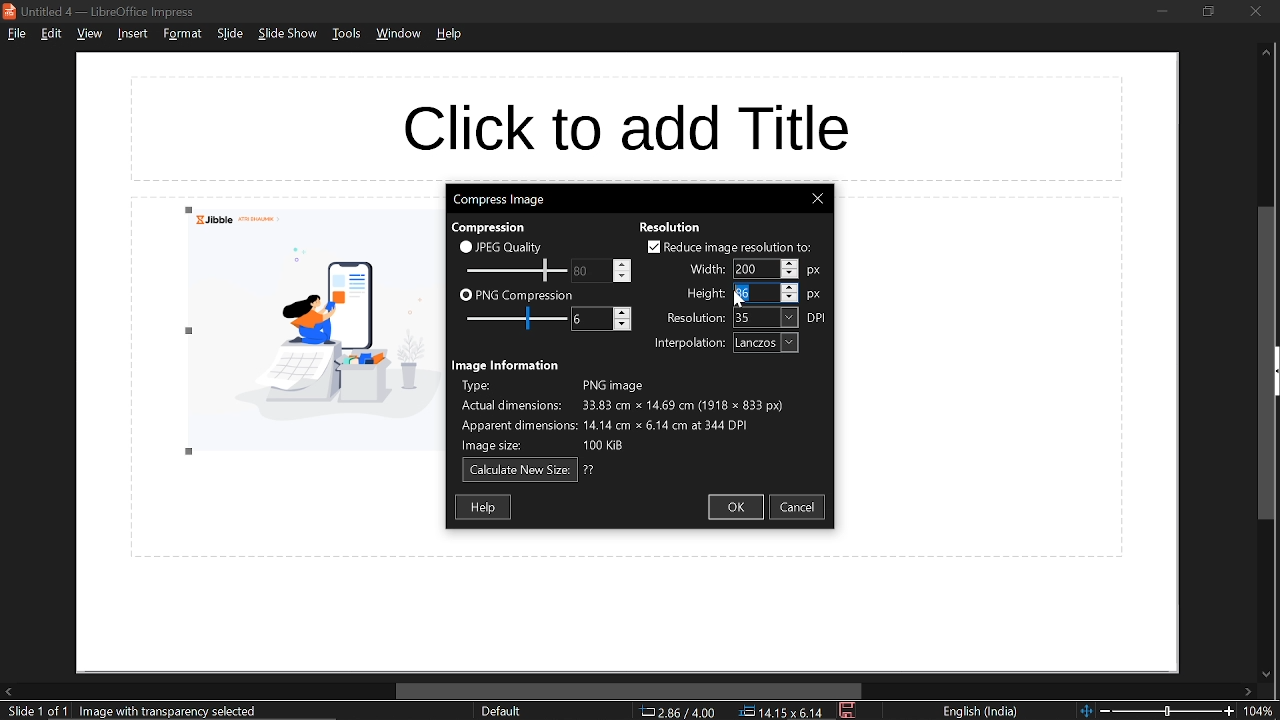  What do you see at coordinates (89, 35) in the screenshot?
I see `view` at bounding box center [89, 35].